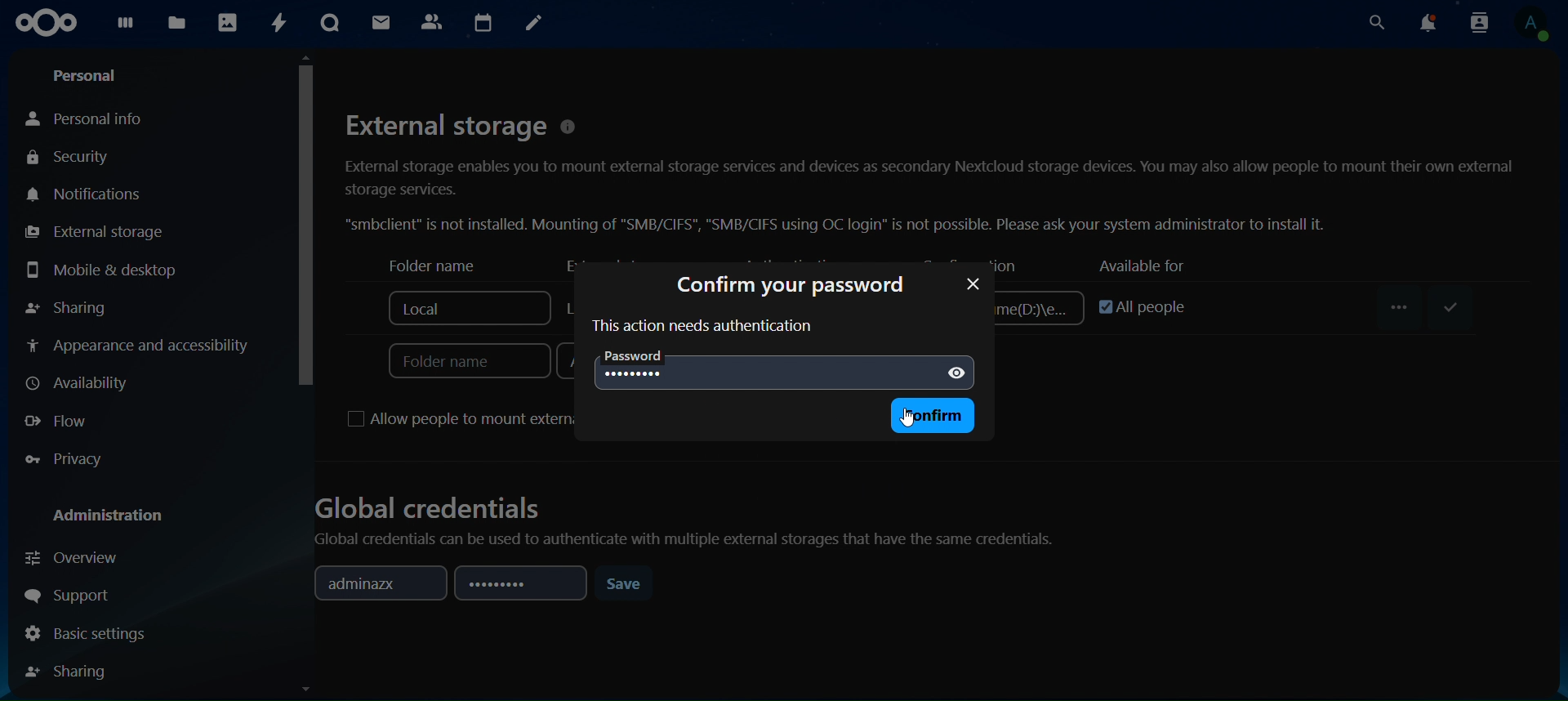 The width and height of the screenshot is (1568, 701). What do you see at coordinates (60, 422) in the screenshot?
I see `flow` at bounding box center [60, 422].